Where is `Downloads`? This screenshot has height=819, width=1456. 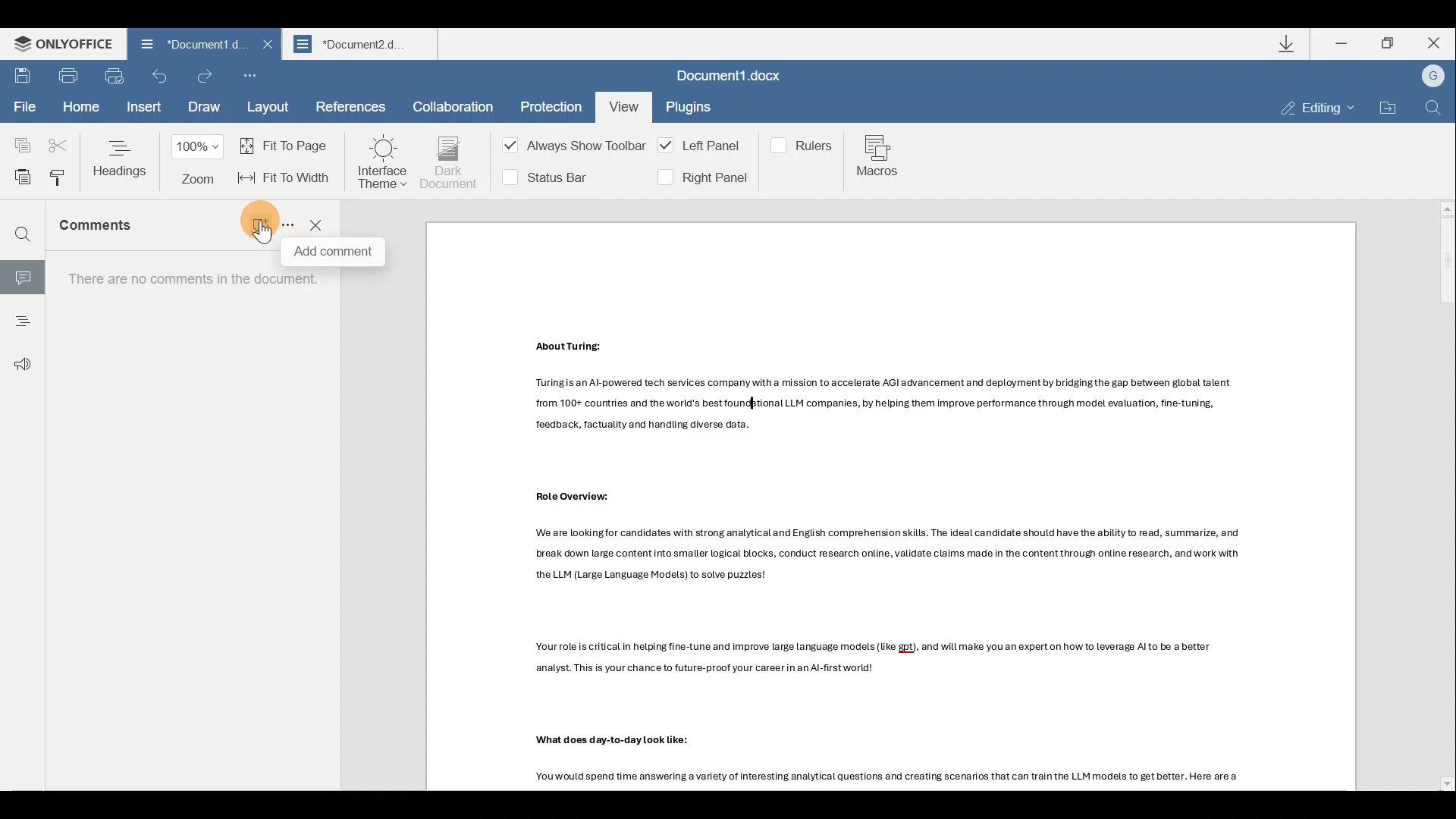
Downloads is located at coordinates (1288, 43).